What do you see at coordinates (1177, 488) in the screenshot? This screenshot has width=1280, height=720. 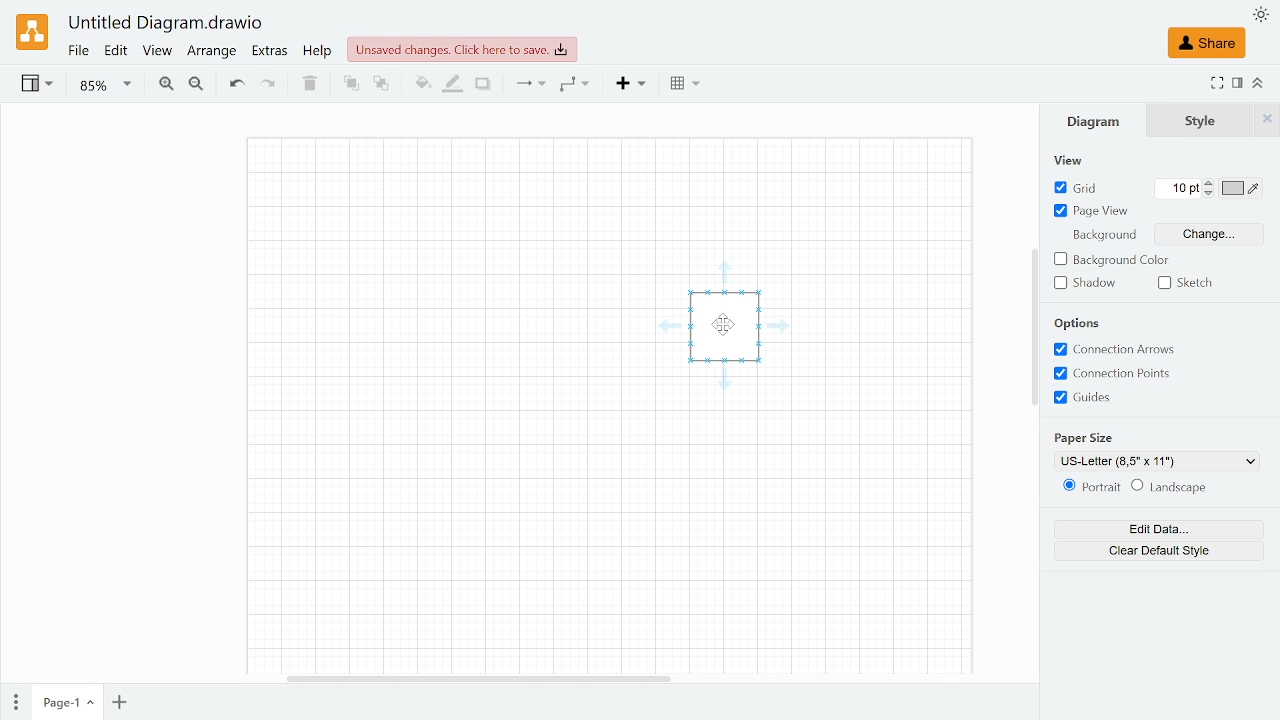 I see `Landscape` at bounding box center [1177, 488].